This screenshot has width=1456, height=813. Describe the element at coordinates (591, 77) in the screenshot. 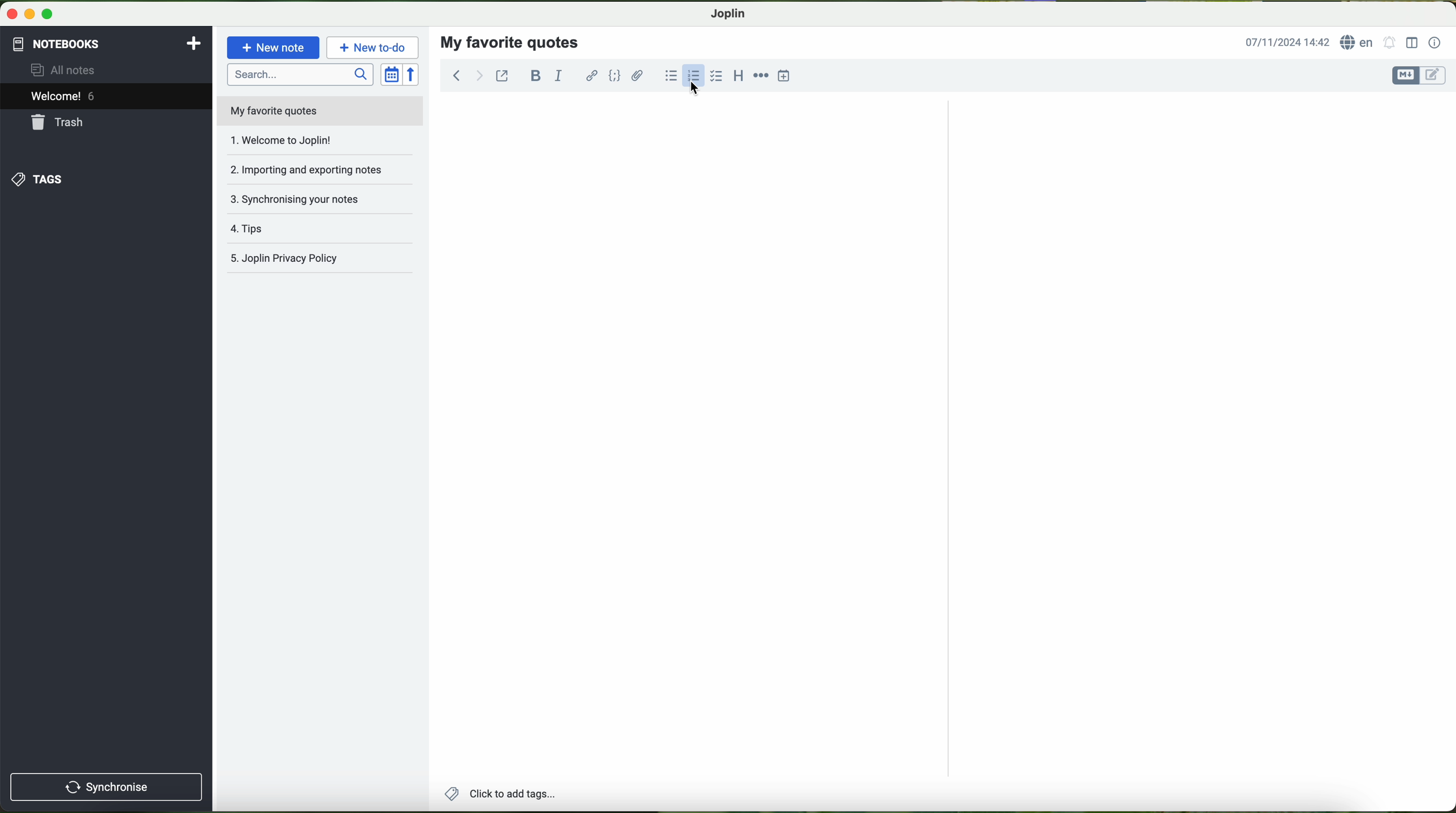

I see `hyperlink` at that location.